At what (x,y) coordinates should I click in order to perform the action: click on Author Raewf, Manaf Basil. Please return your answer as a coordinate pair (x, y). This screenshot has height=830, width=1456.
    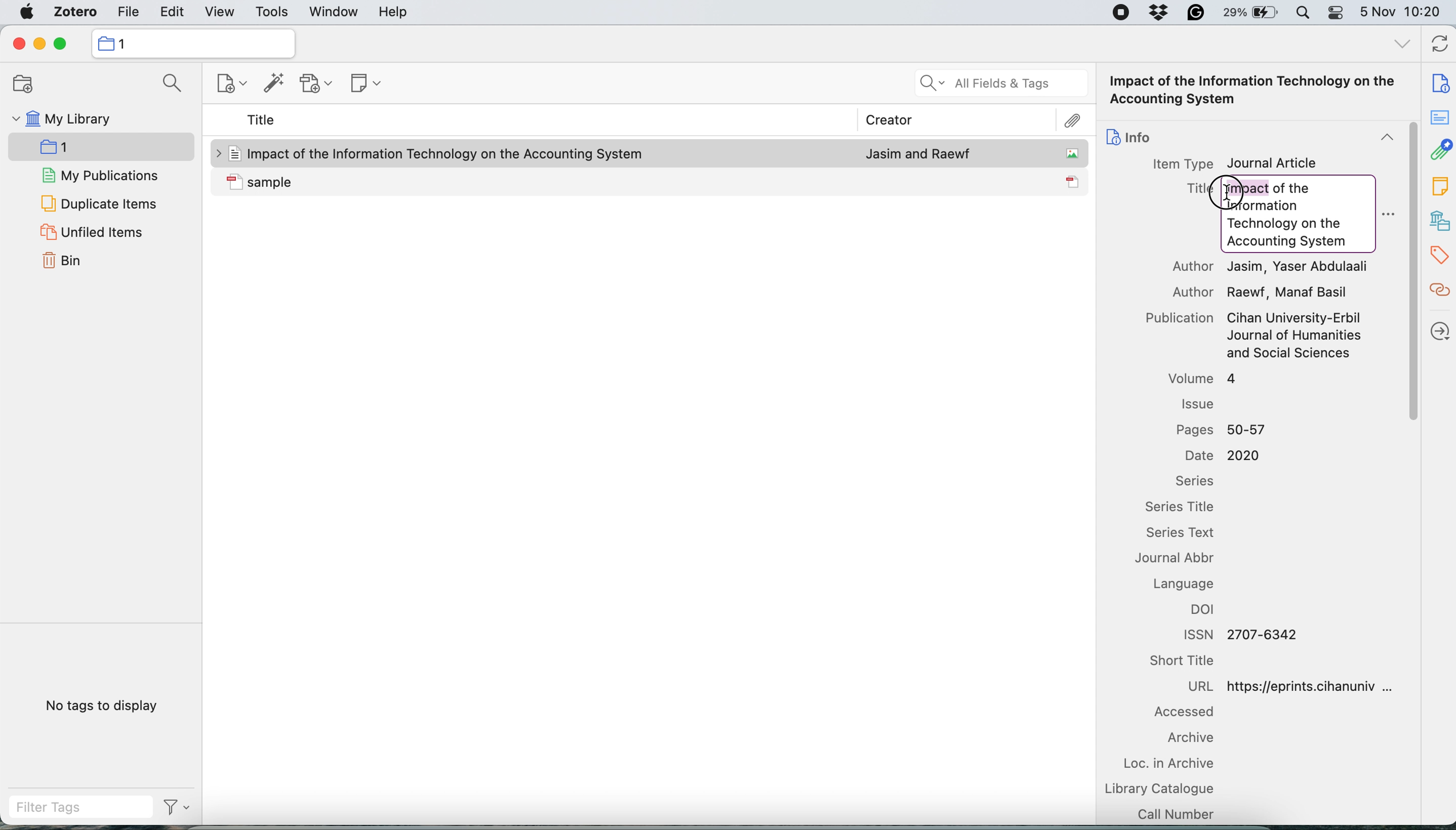
    Looking at the image, I should click on (1260, 292).